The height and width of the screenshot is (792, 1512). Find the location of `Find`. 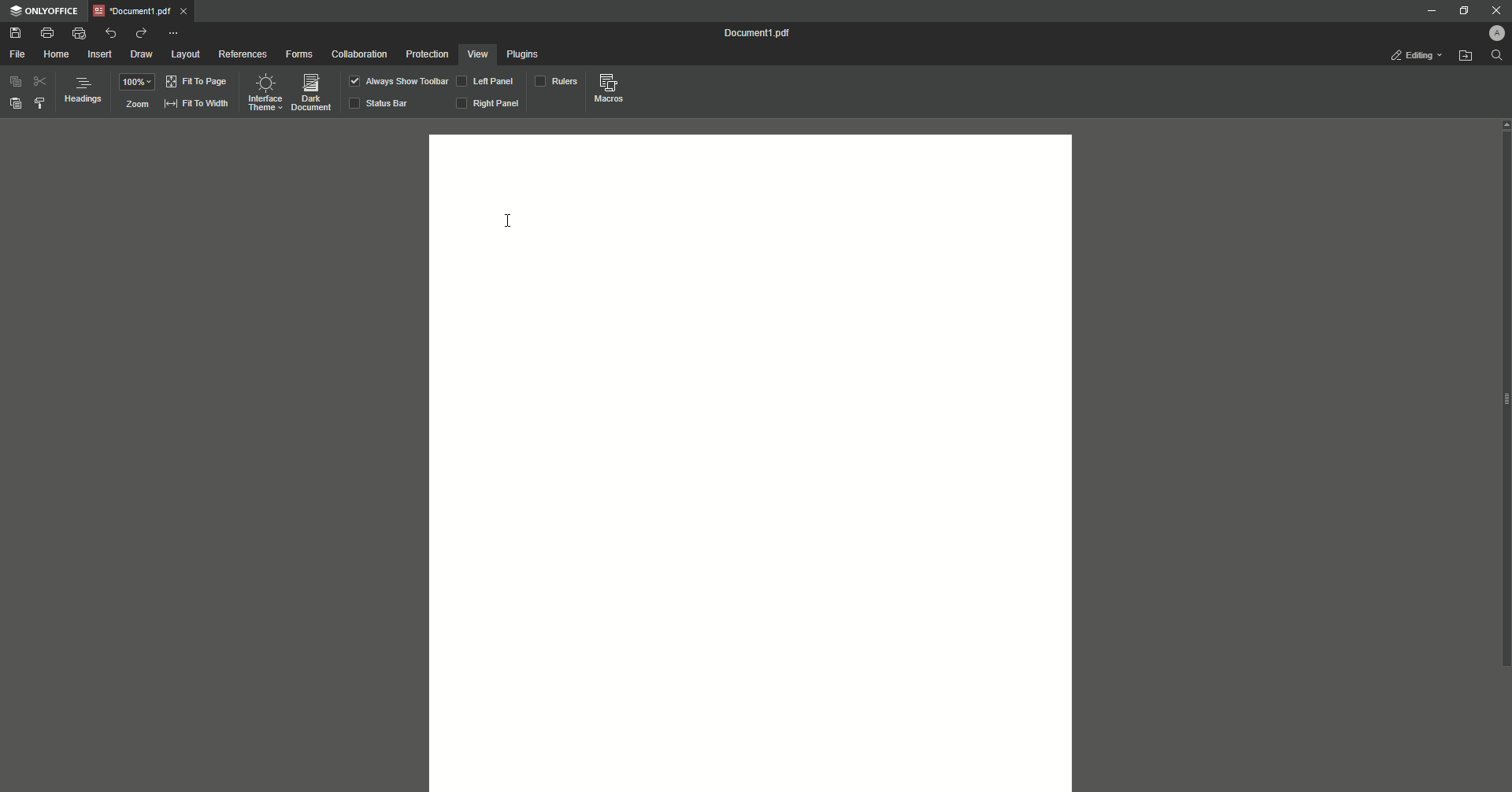

Find is located at coordinates (1496, 57).